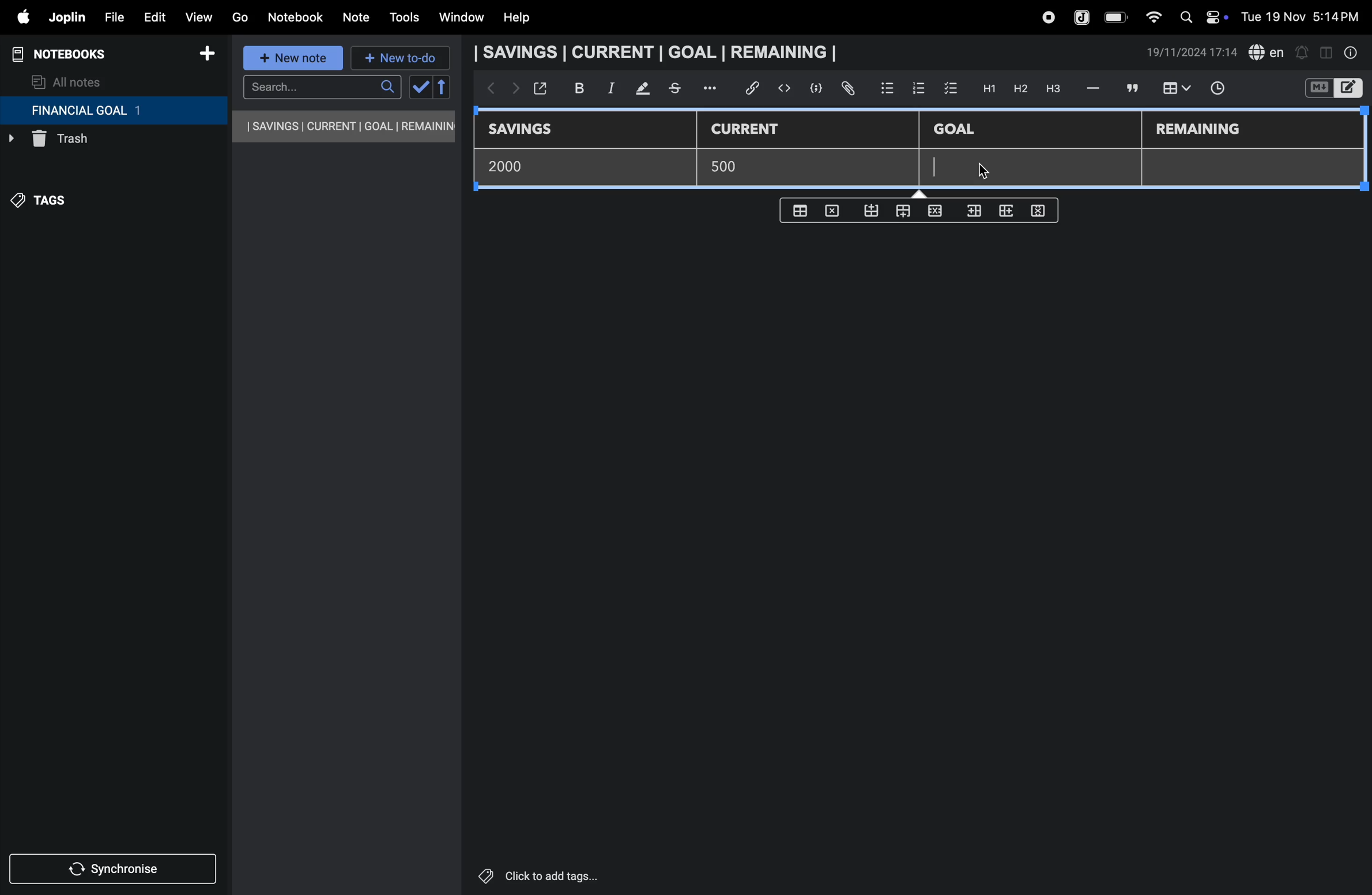 Image resolution: width=1372 pixels, height=895 pixels. What do you see at coordinates (1201, 16) in the screenshot?
I see `apple widgets` at bounding box center [1201, 16].